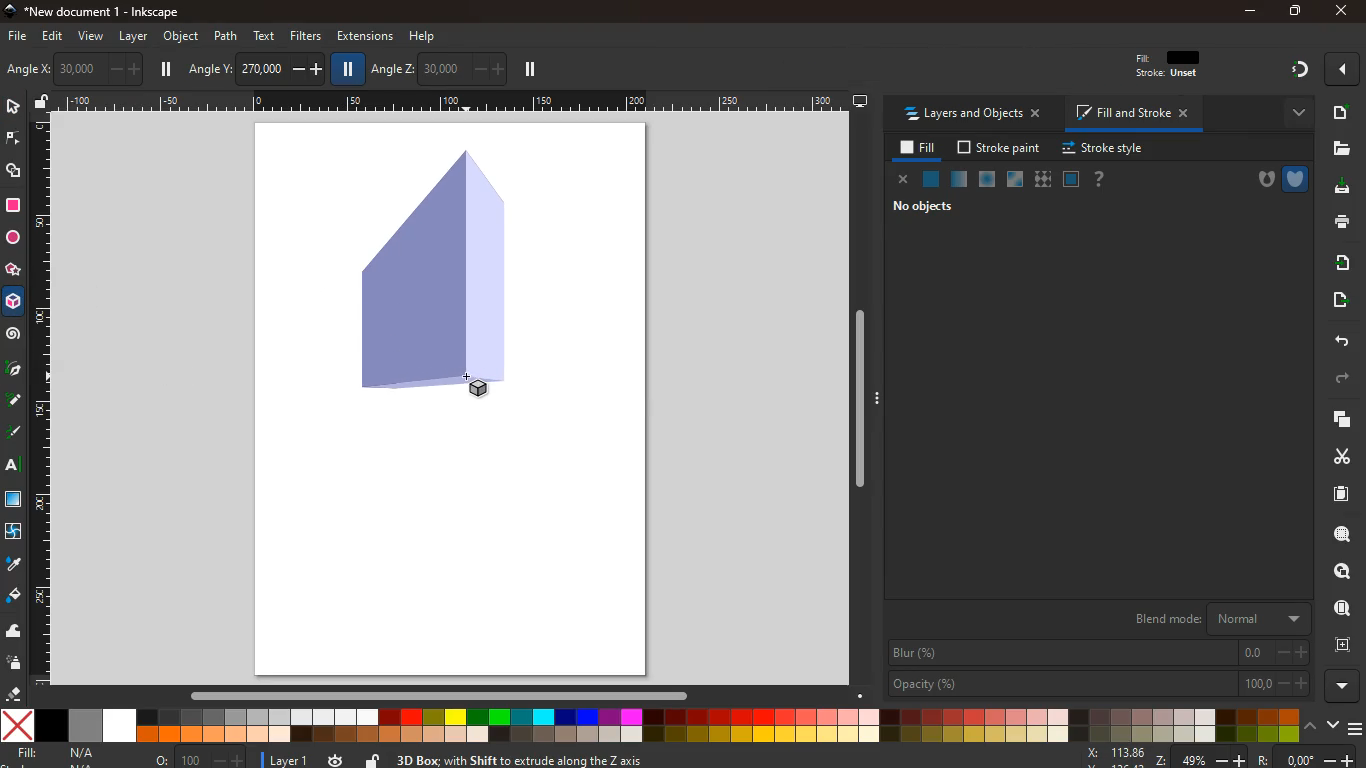 This screenshot has height=768, width=1366. Describe the element at coordinates (995, 148) in the screenshot. I see `stroke paint` at that location.